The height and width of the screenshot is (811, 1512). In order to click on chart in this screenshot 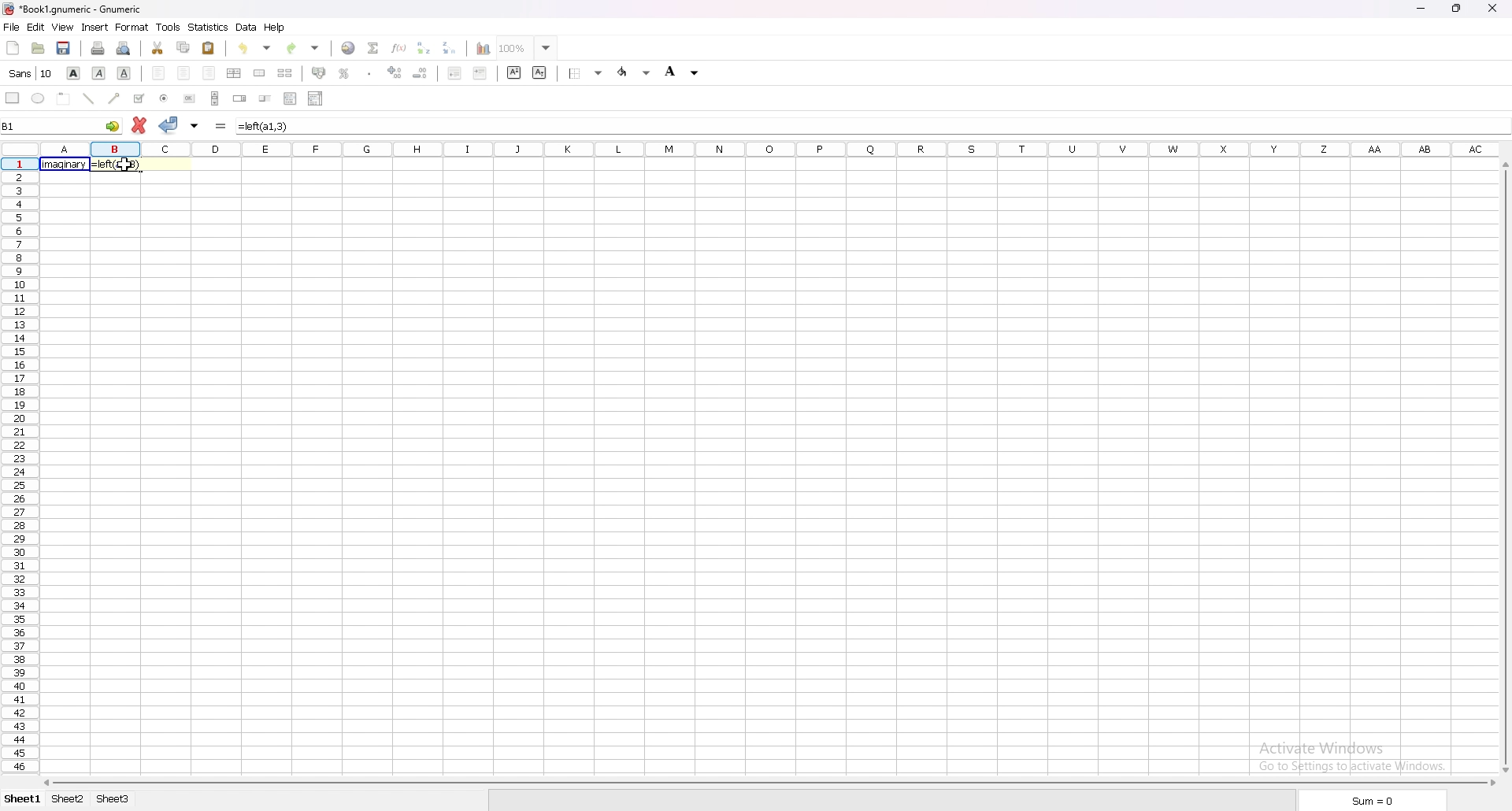, I will do `click(483, 49)`.